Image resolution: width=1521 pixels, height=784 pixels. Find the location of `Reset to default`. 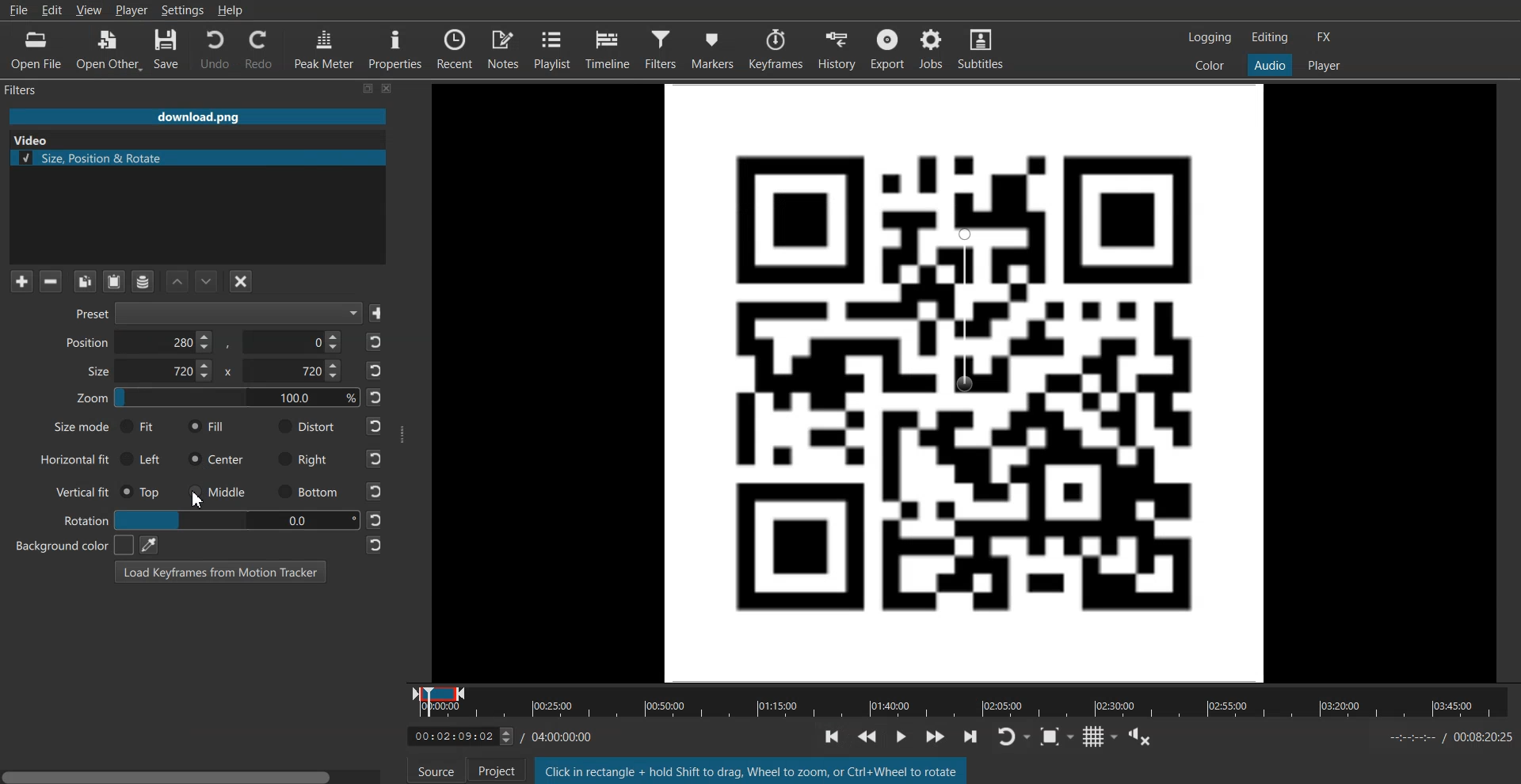

Reset to default is located at coordinates (375, 443).